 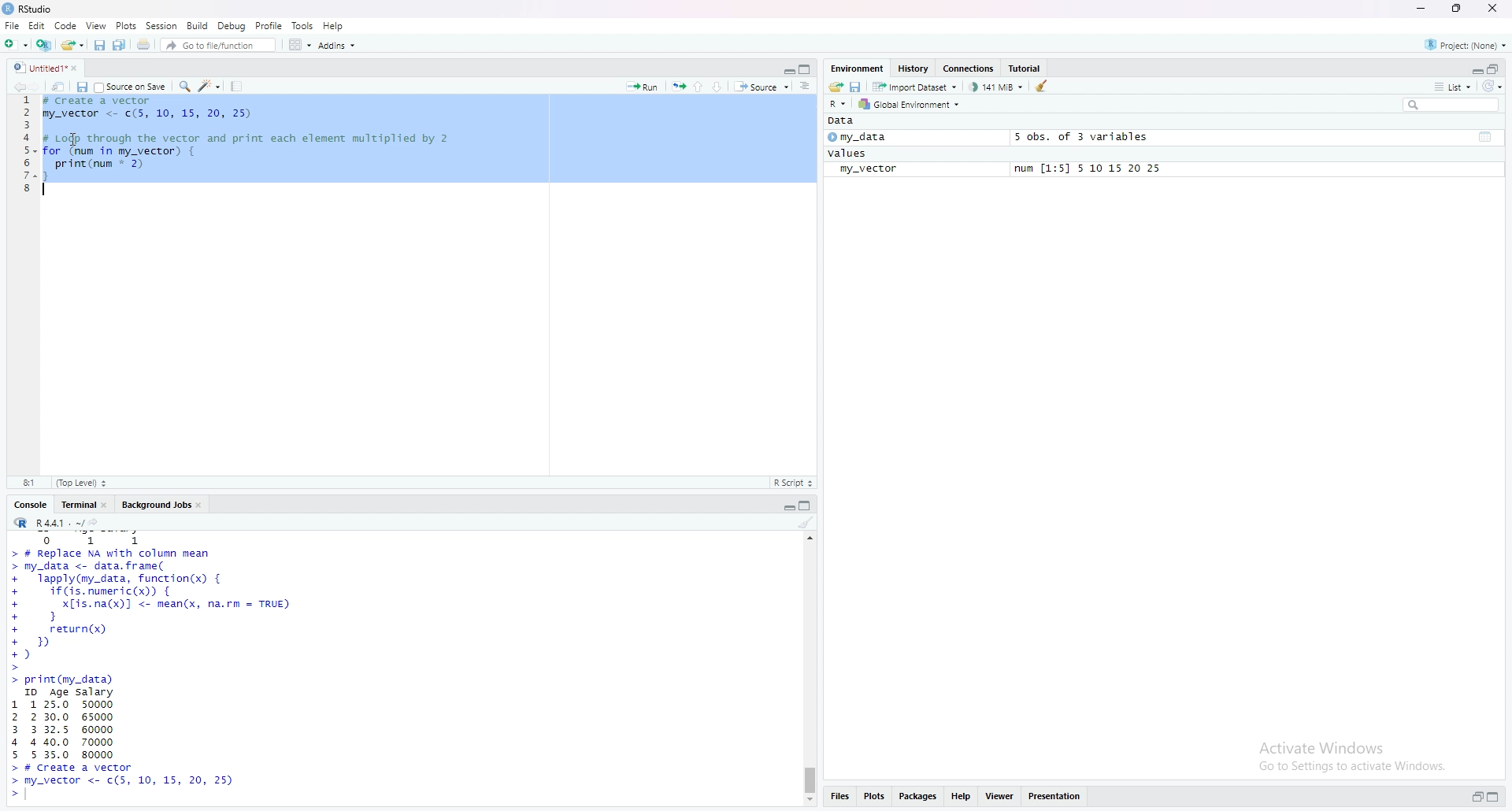 I want to click on presentation, so click(x=1057, y=795).